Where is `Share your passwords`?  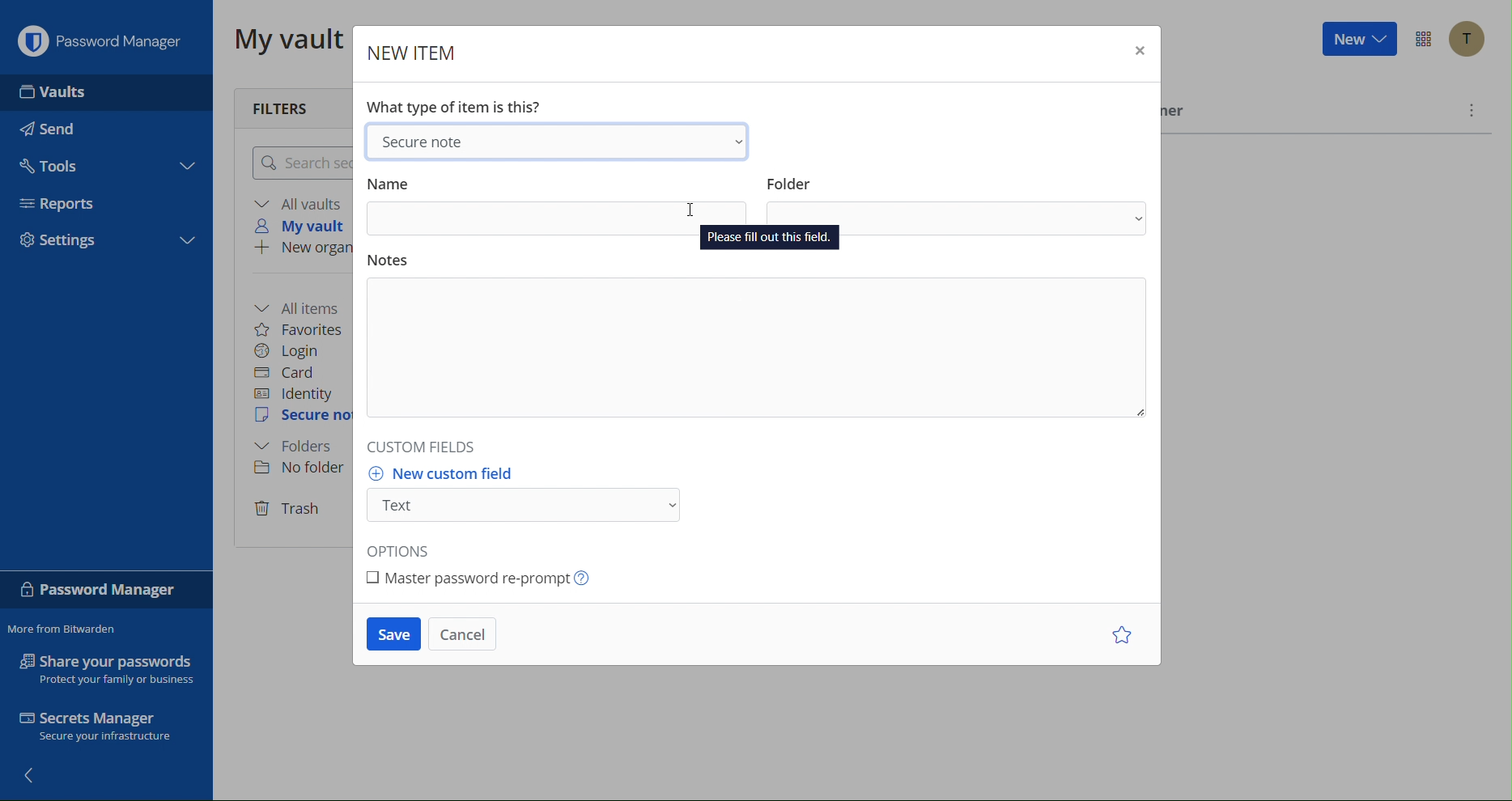
Share your passwords is located at coordinates (106, 668).